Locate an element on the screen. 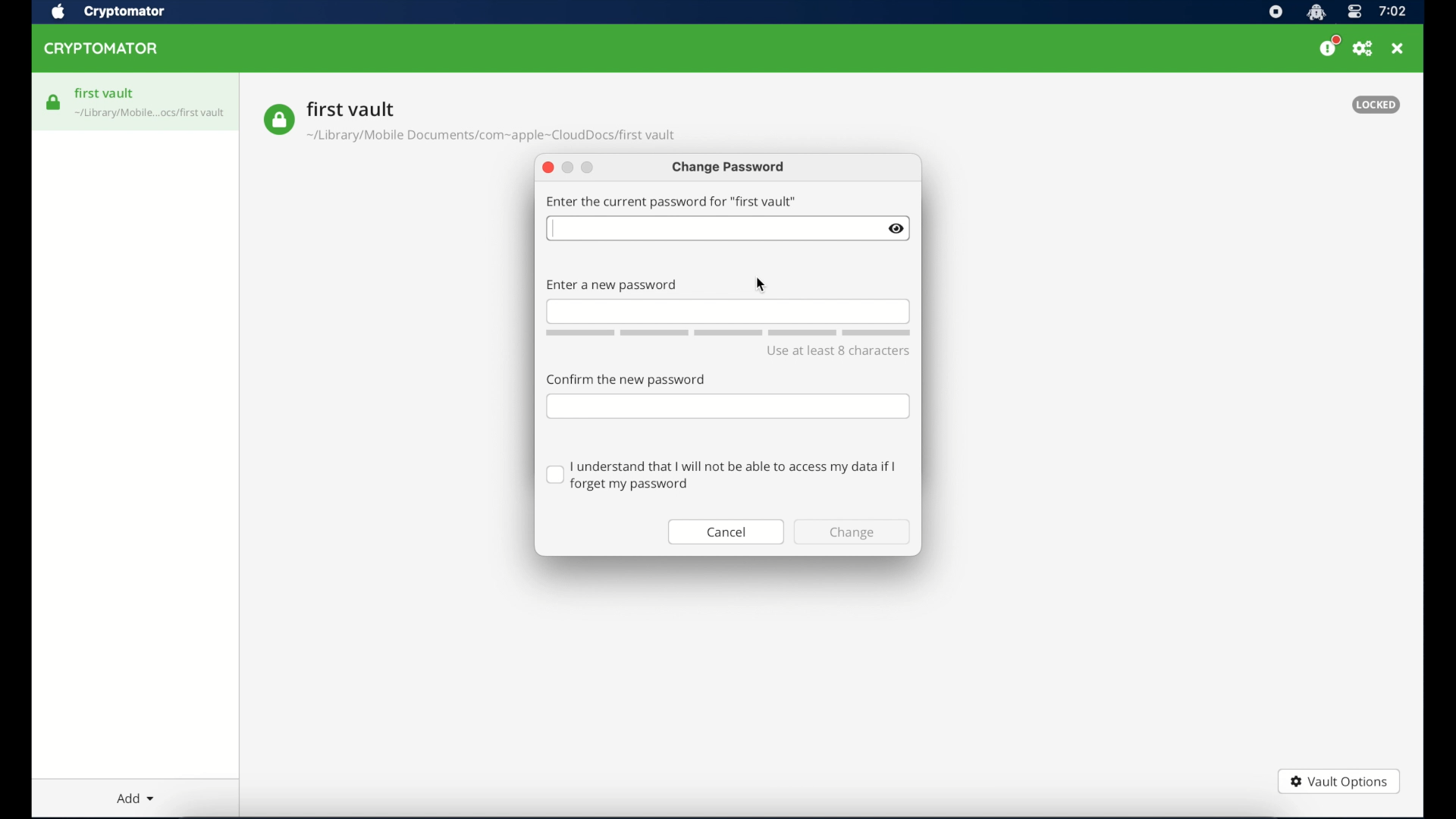 Image resolution: width=1456 pixels, height=819 pixels. vault icon is located at coordinates (54, 102).